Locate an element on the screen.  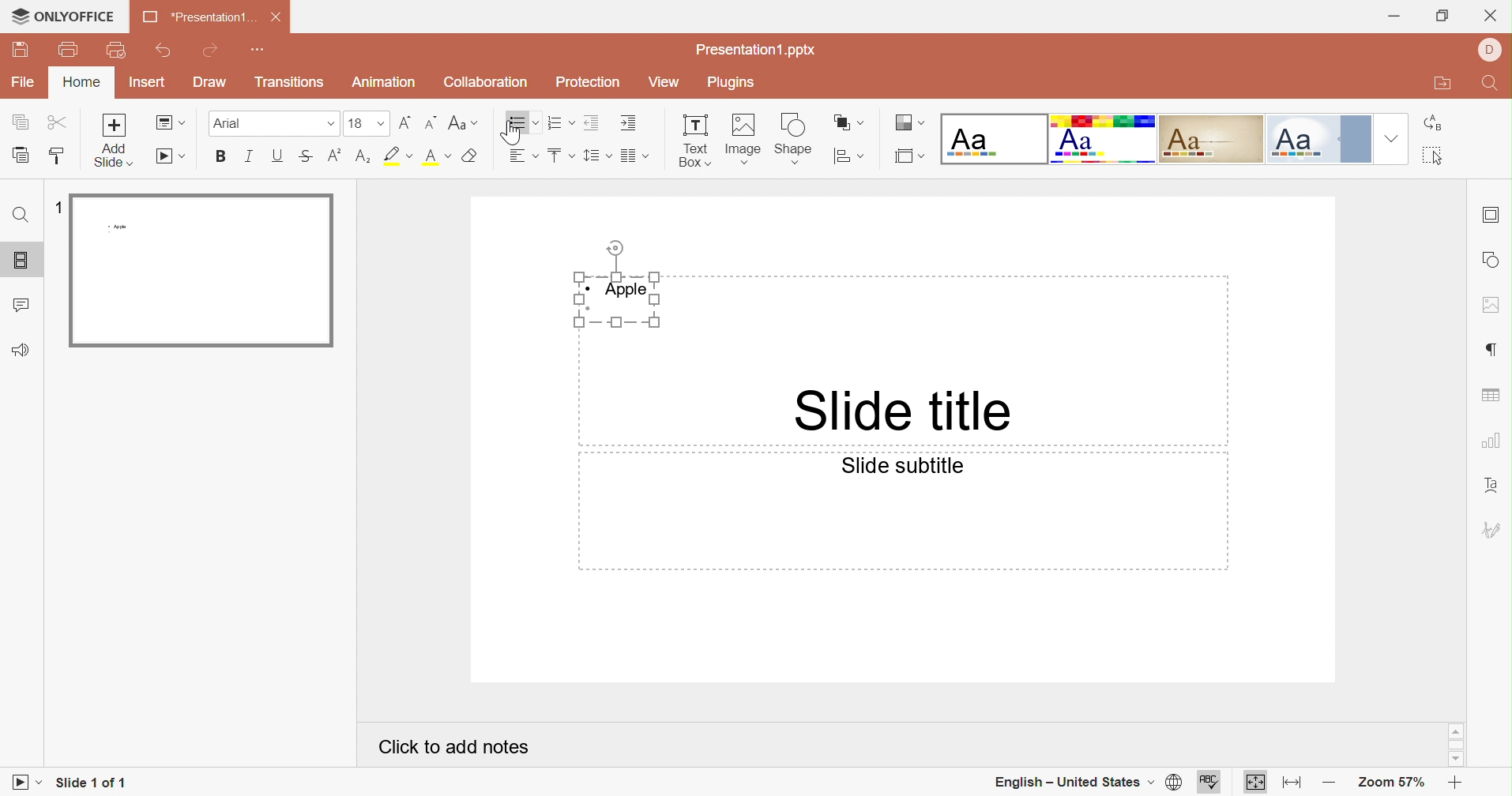
Restore Down is located at coordinates (1442, 17).